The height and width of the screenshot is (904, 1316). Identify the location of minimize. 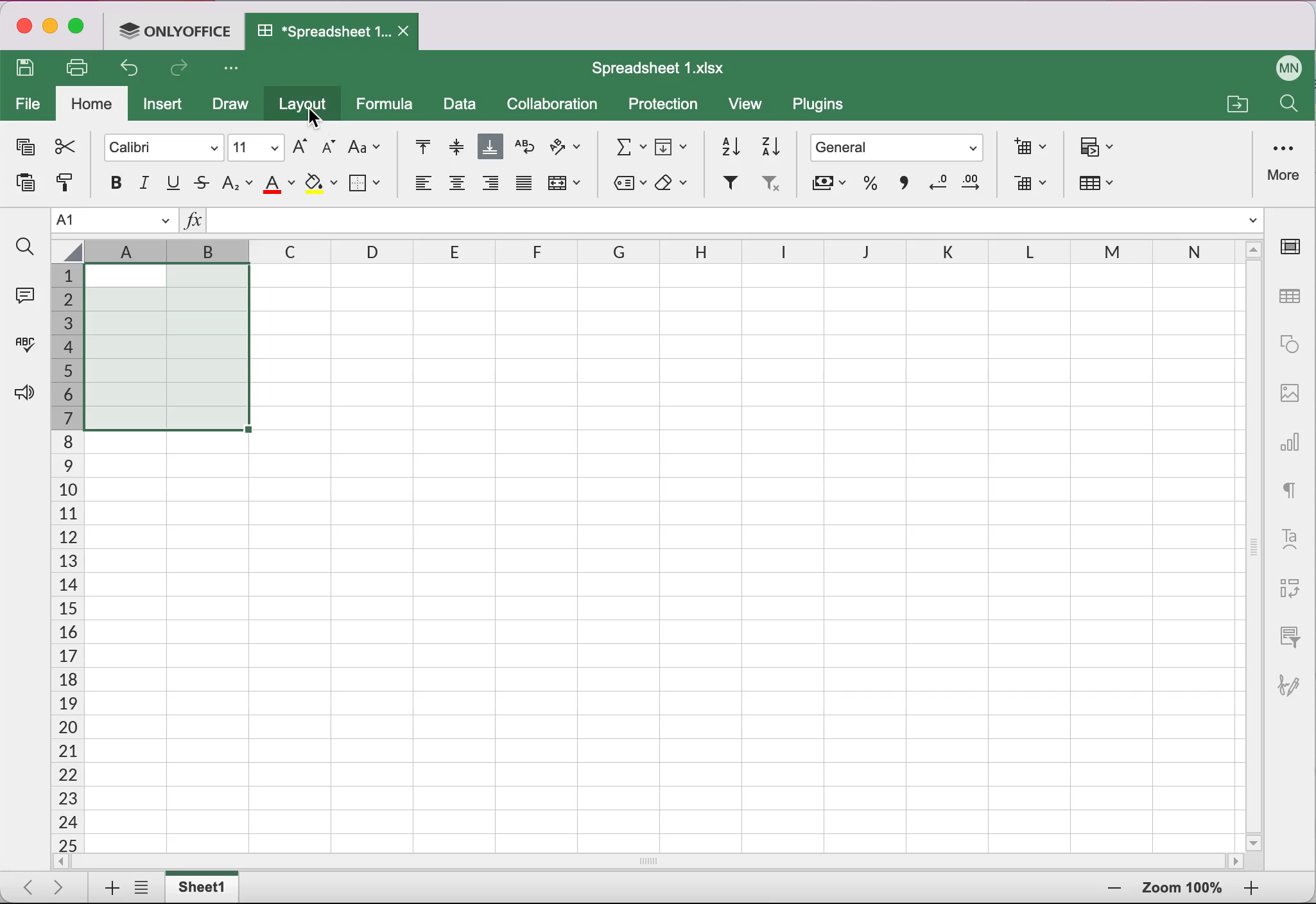
(50, 28).